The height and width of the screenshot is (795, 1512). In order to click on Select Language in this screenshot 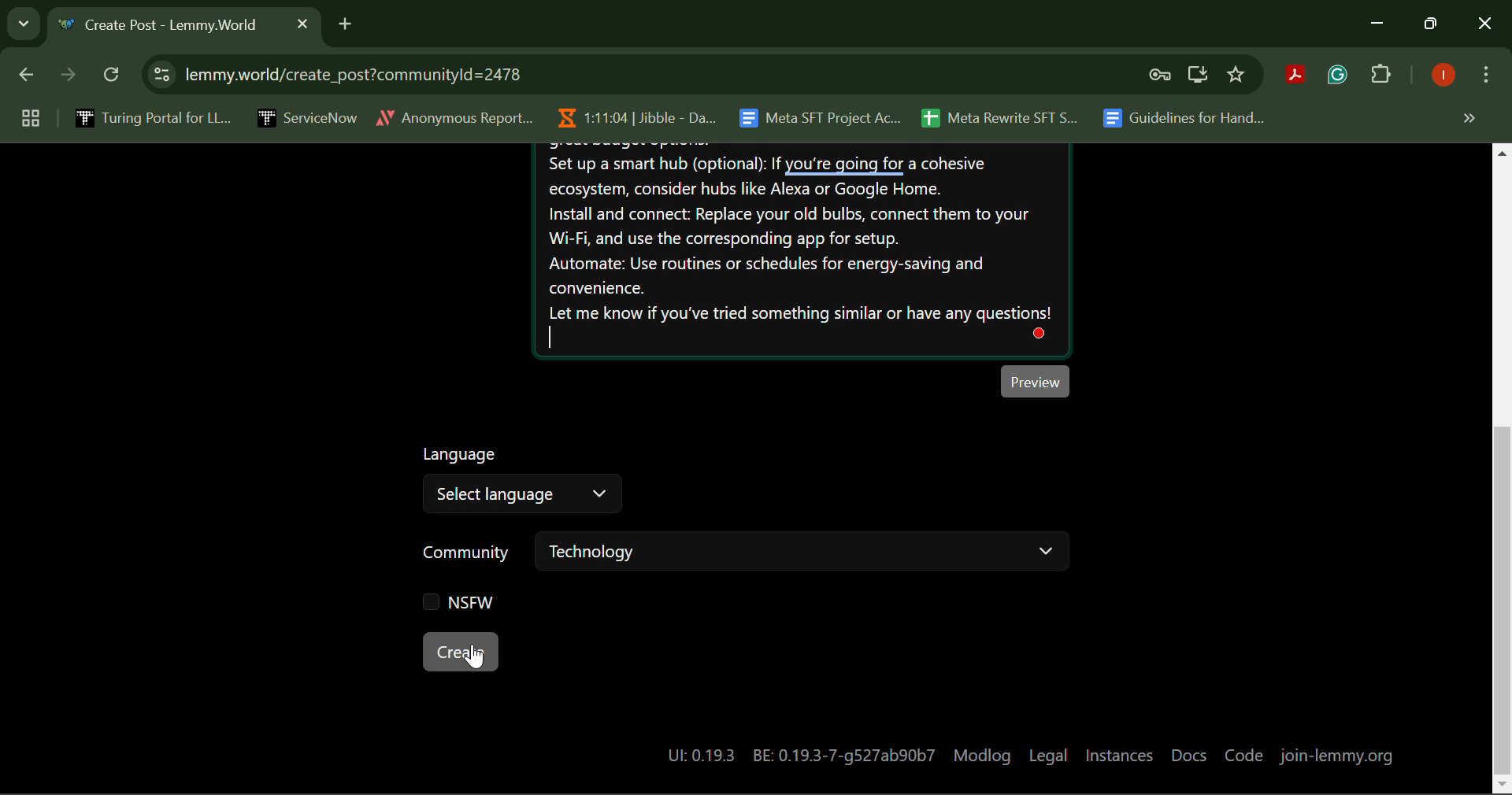, I will do `click(519, 480)`.